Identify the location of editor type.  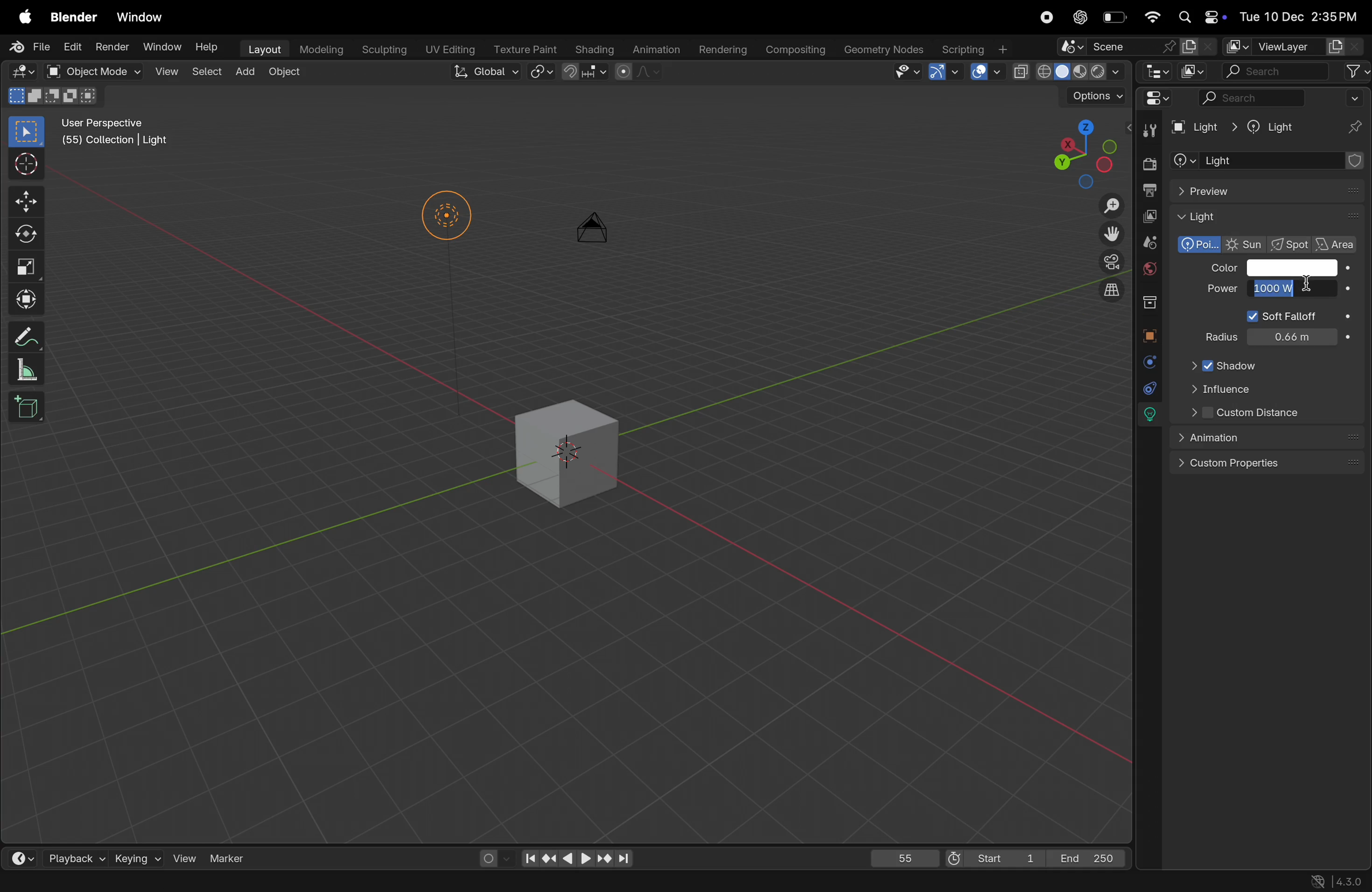
(1155, 71).